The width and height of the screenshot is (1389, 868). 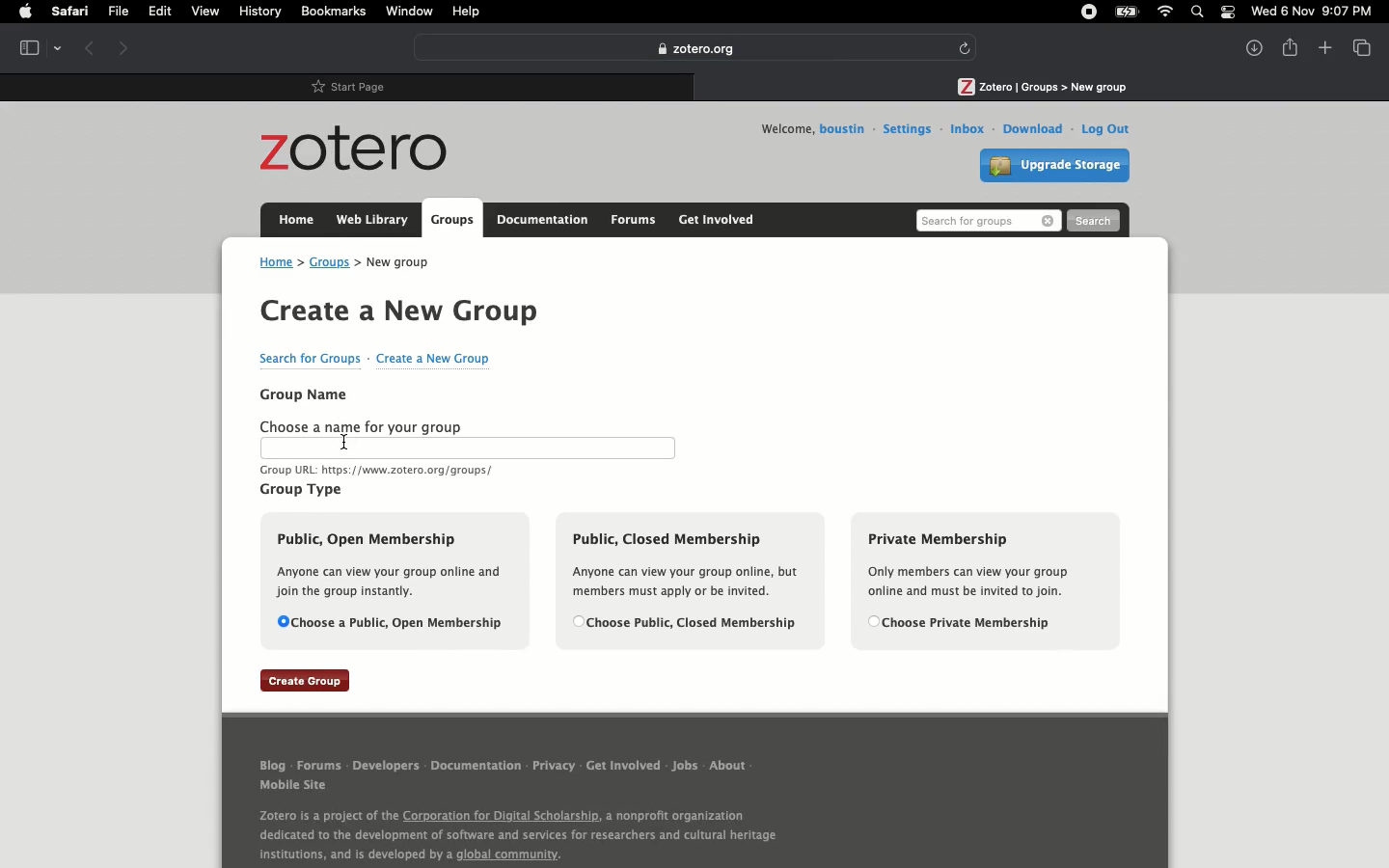 I want to click on Search, so click(x=988, y=220).